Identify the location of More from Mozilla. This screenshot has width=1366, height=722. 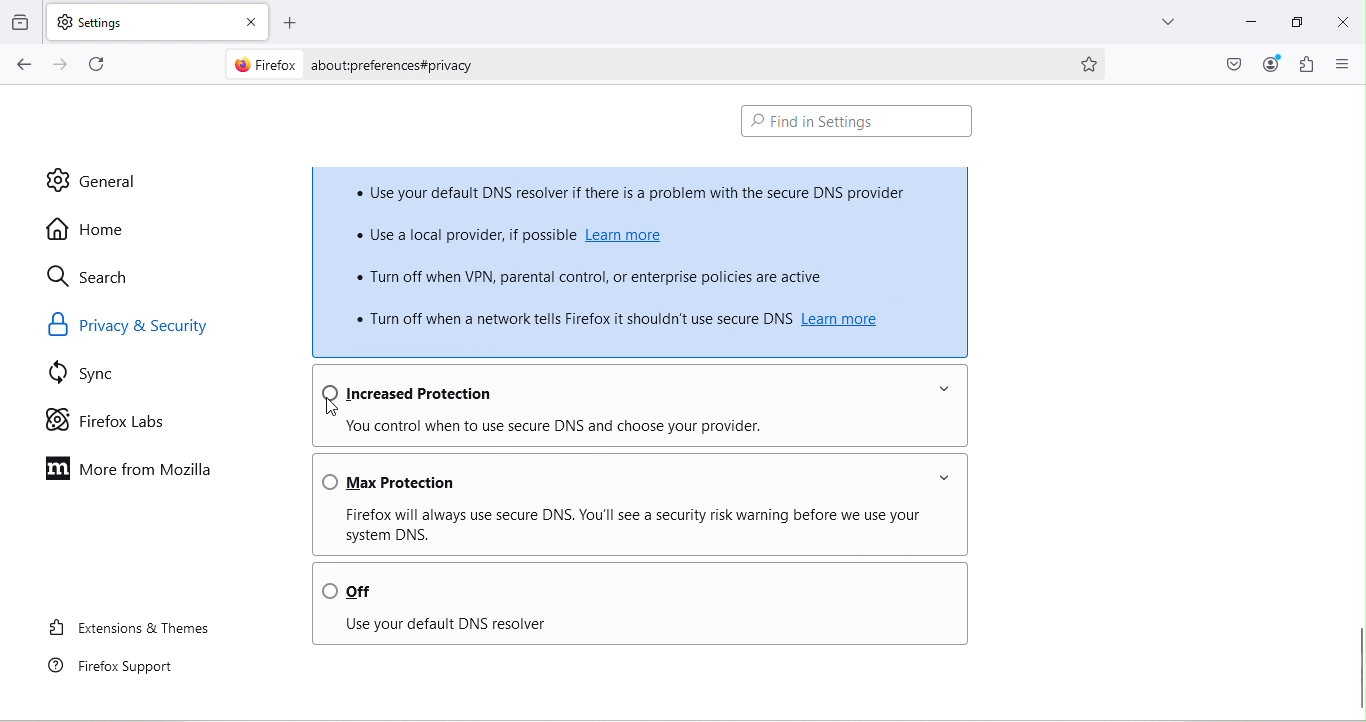
(132, 470).